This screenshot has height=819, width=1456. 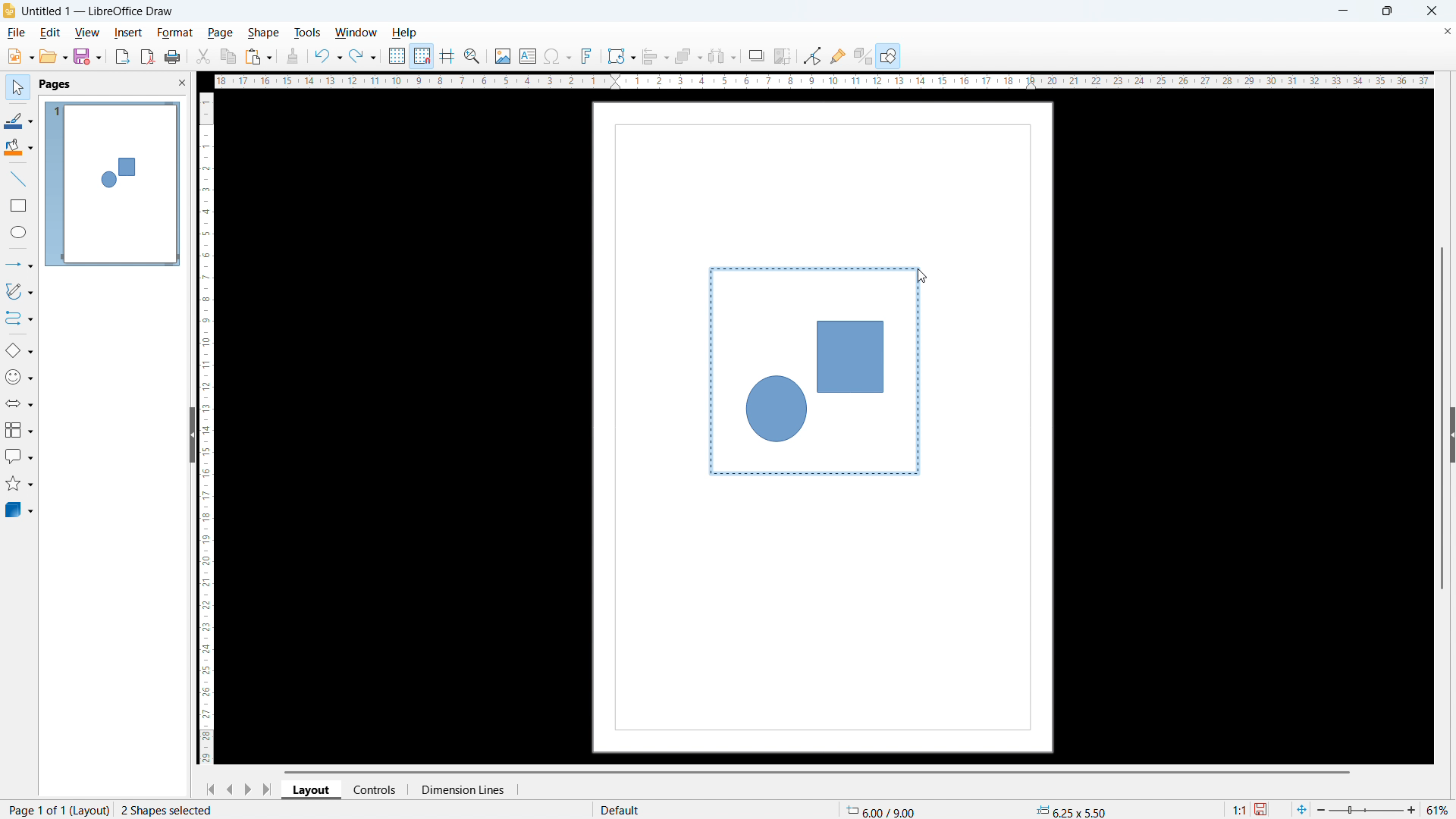 I want to click on symbol shapes, so click(x=19, y=377).